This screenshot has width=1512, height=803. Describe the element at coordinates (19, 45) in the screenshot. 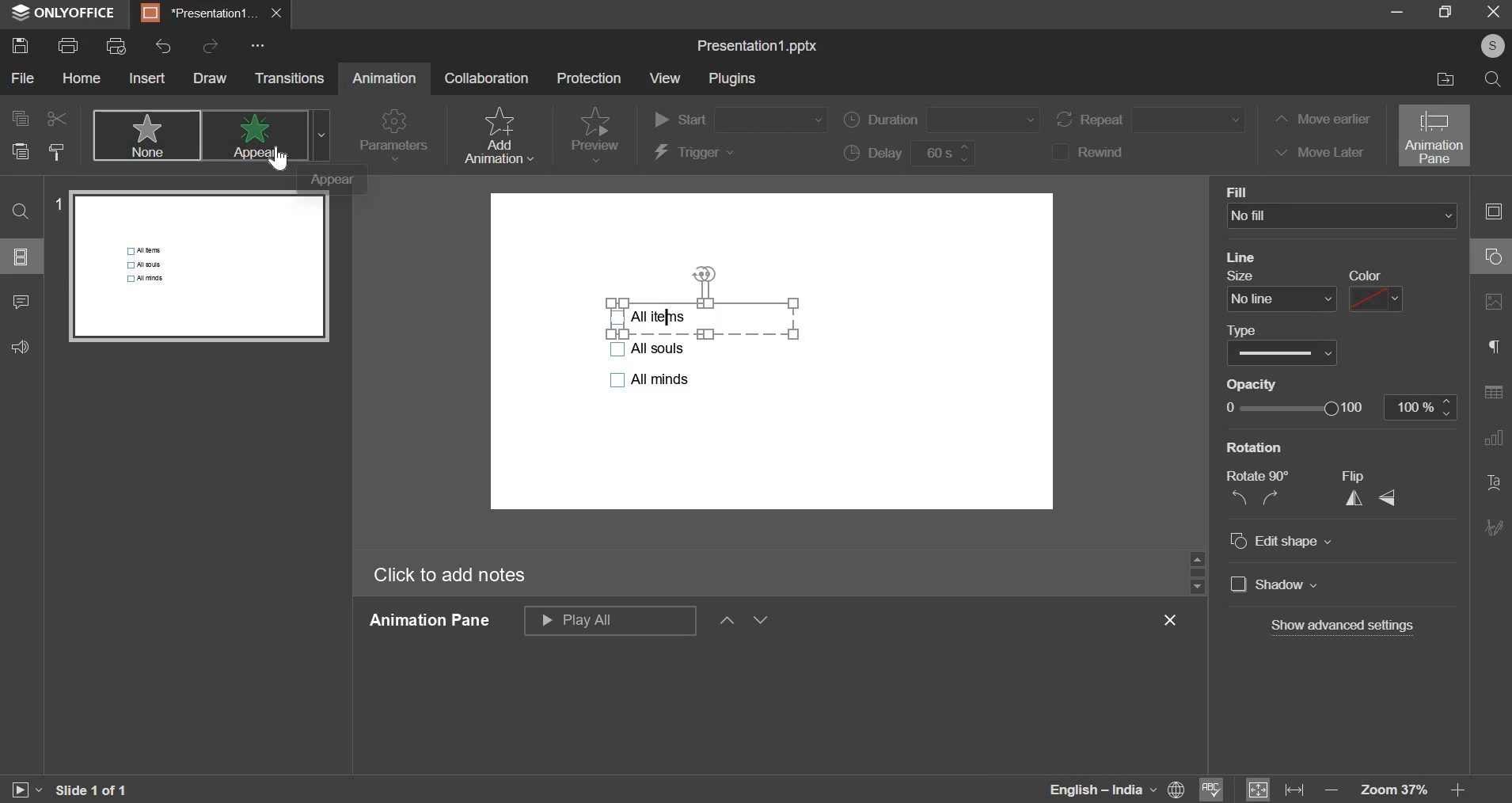

I see `save` at that location.